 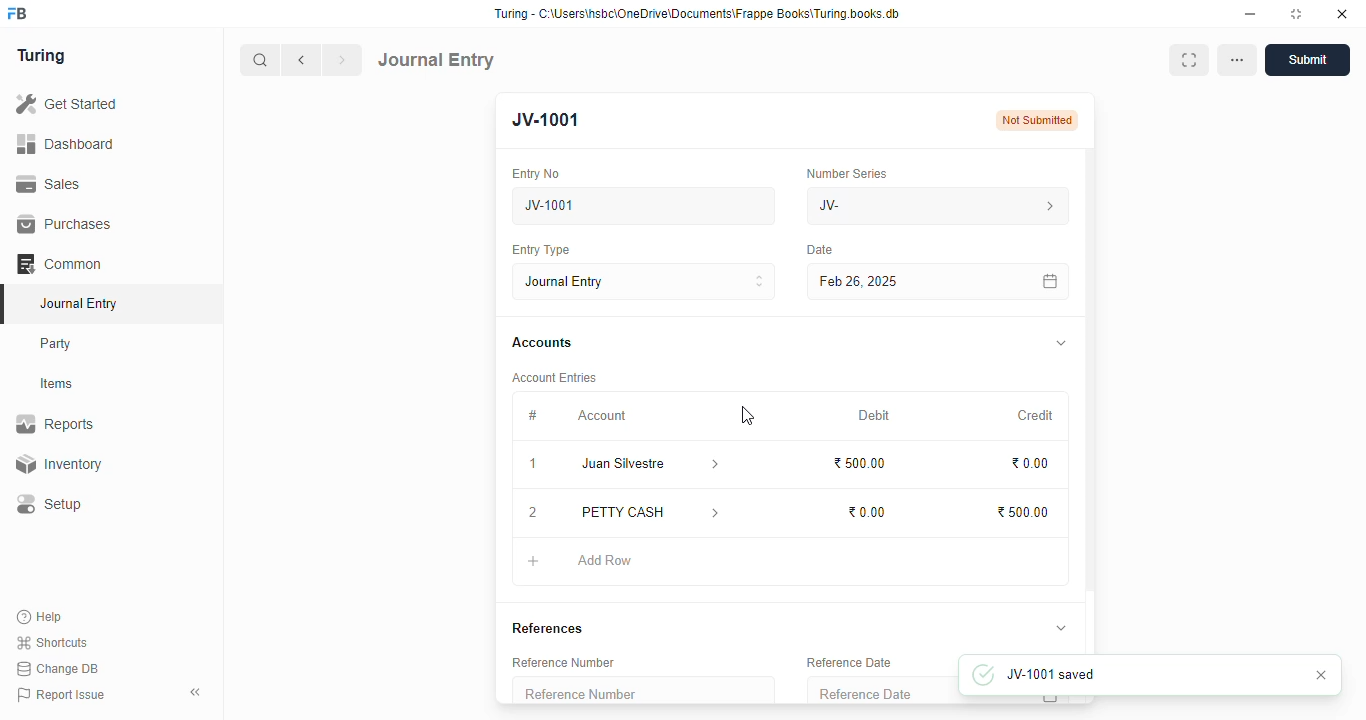 What do you see at coordinates (749, 416) in the screenshot?
I see `cursor` at bounding box center [749, 416].